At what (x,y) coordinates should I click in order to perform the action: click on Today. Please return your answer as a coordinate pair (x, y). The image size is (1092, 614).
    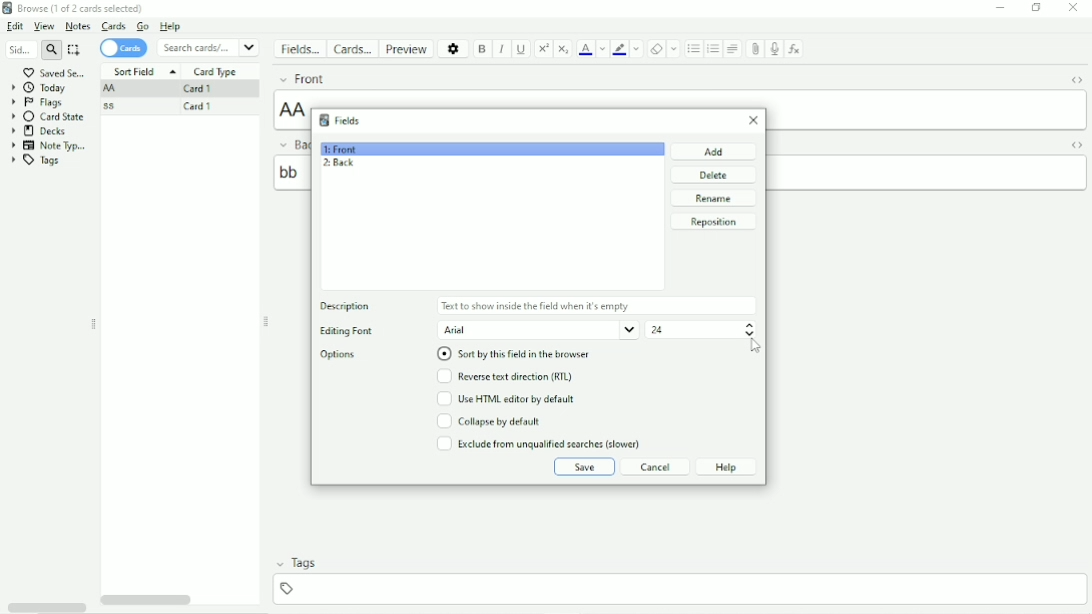
    Looking at the image, I should click on (39, 88).